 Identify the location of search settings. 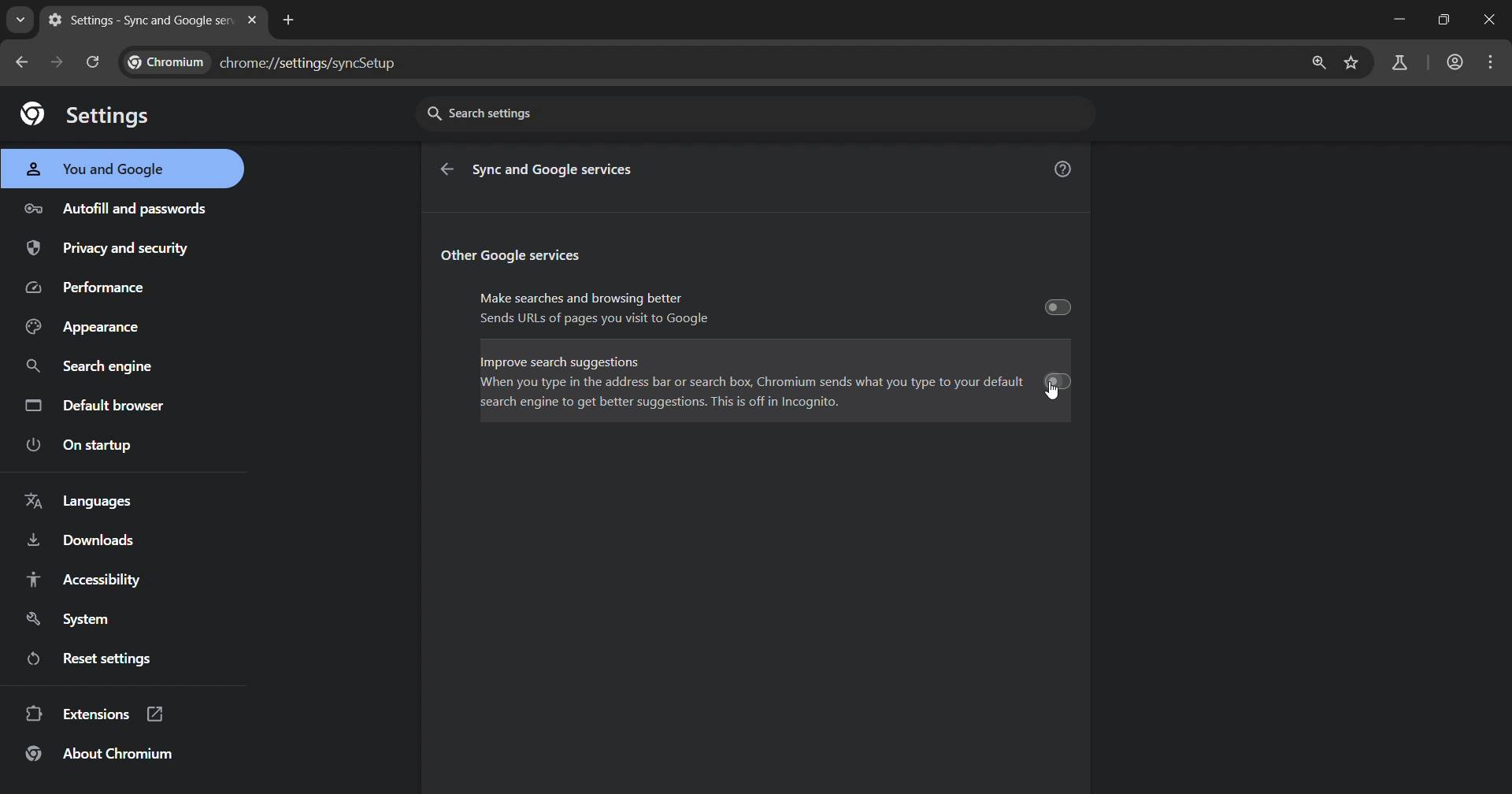
(655, 114).